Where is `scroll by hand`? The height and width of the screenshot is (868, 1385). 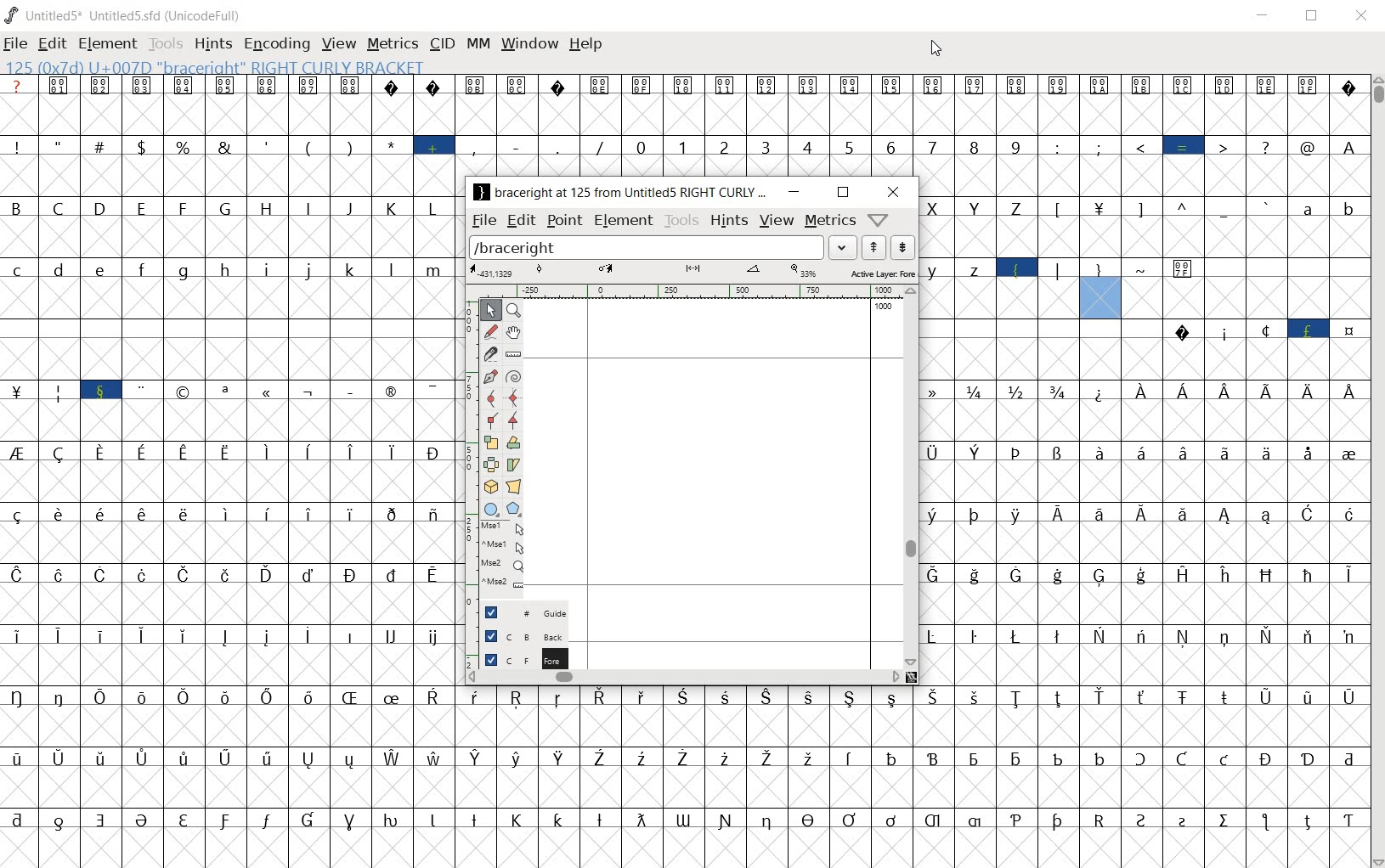
scroll by hand is located at coordinates (514, 332).